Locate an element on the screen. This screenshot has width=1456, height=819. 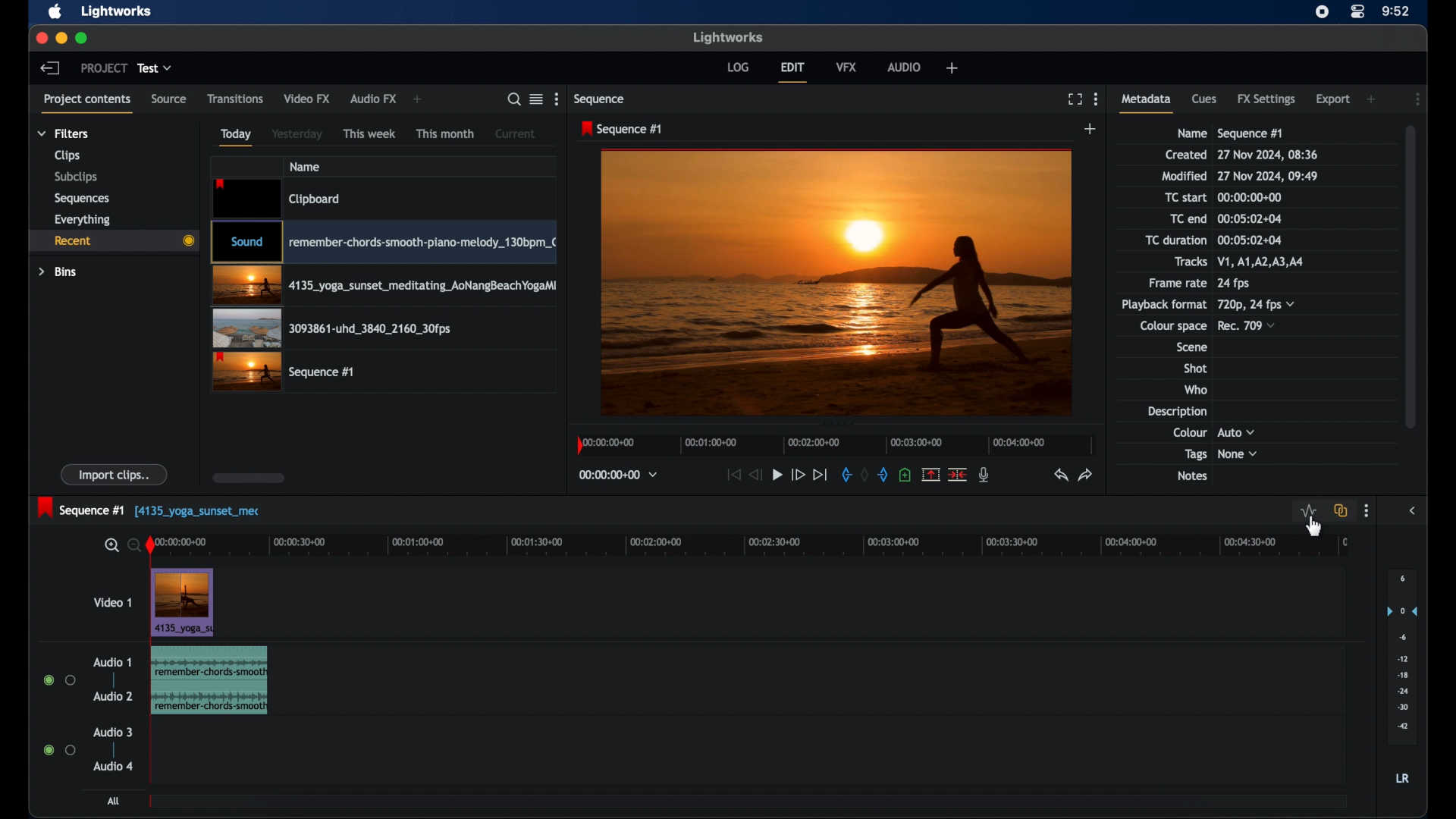
vfx is located at coordinates (847, 66).